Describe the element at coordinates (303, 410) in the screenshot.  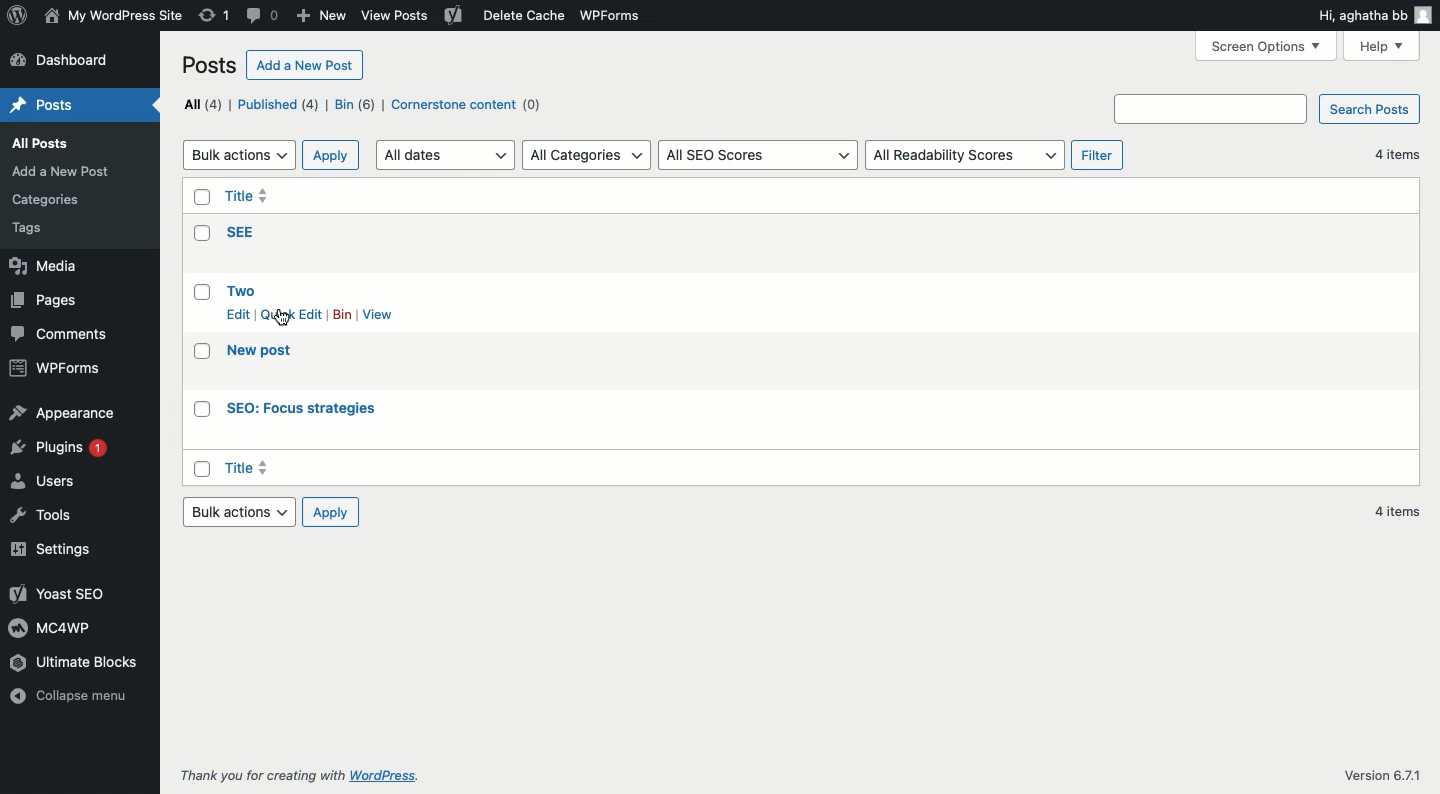
I see `SEO: Focus strategies.` at that location.